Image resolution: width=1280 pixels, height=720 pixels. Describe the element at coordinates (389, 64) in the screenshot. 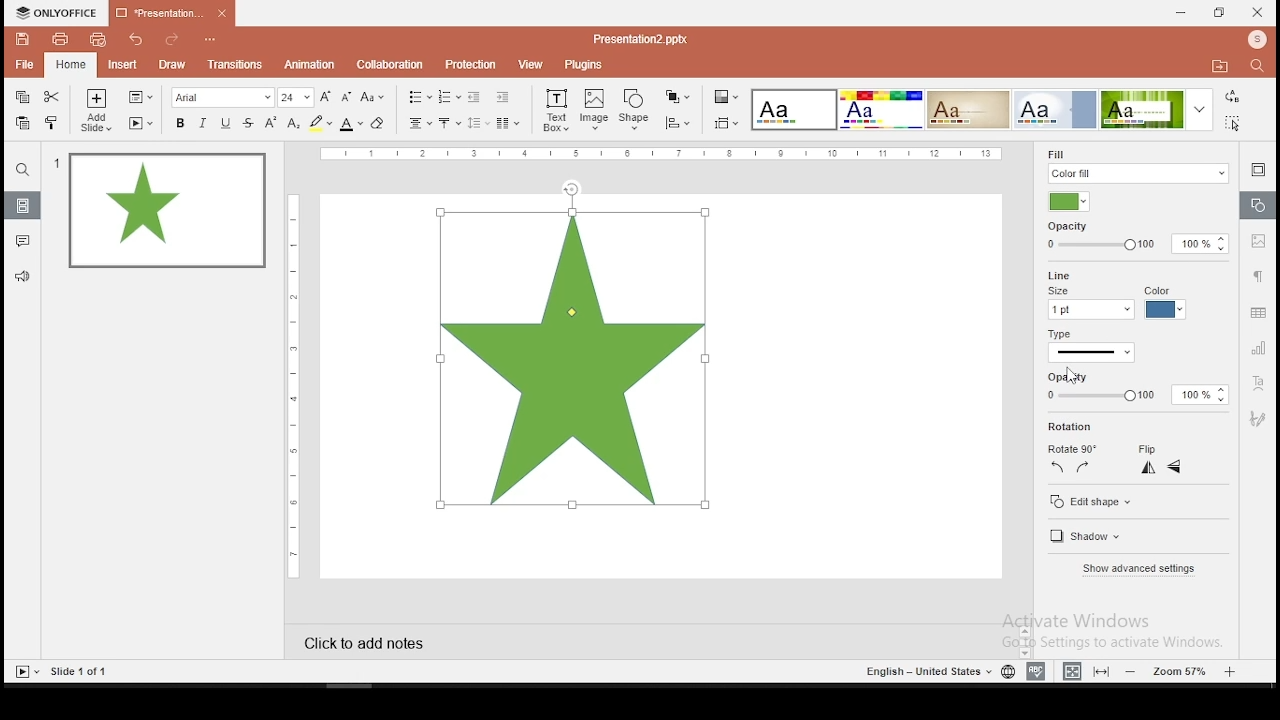

I see `collaboration` at that location.